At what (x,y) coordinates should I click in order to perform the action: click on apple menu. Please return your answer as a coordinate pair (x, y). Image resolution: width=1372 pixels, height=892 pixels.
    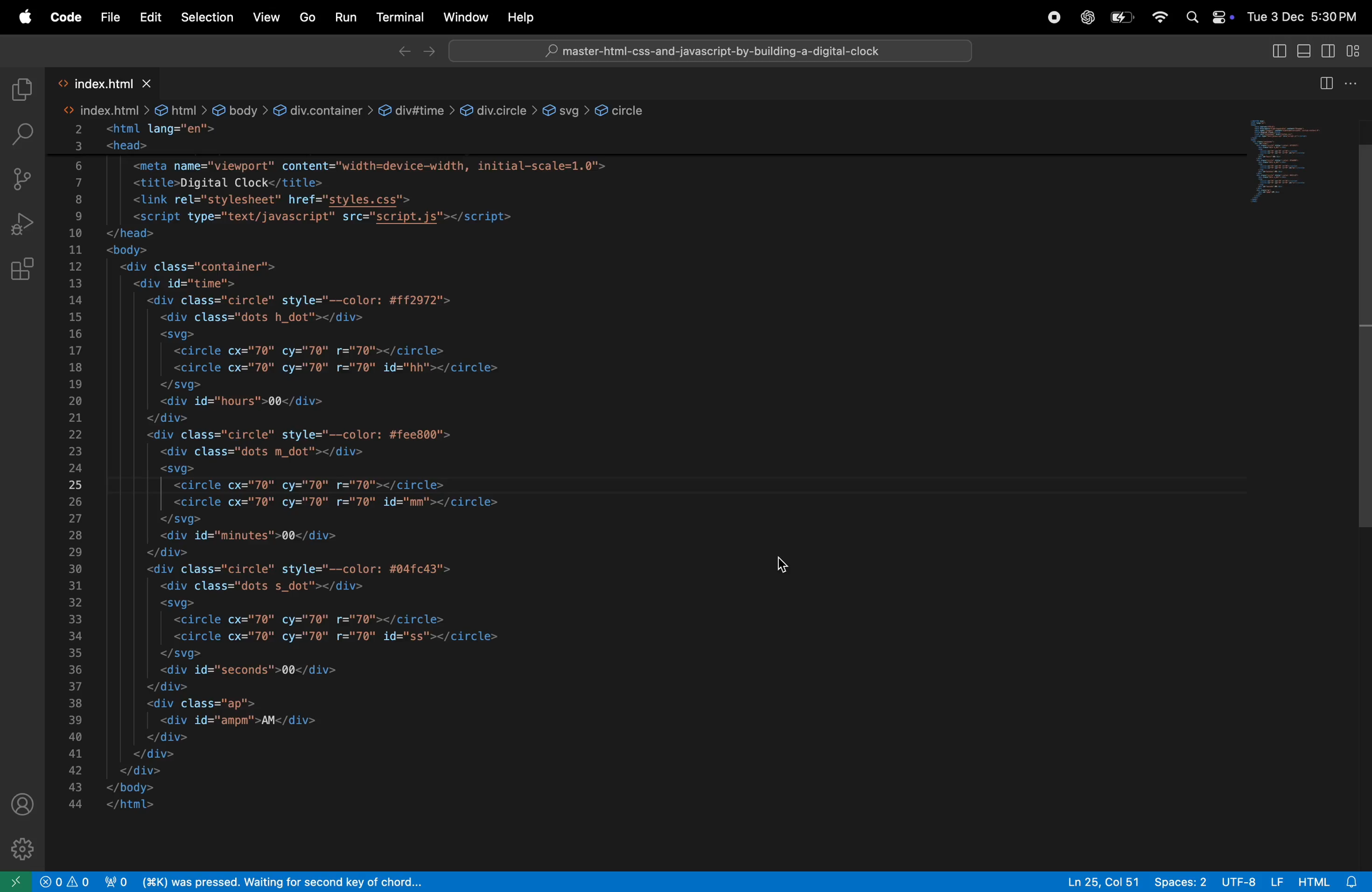
    Looking at the image, I should click on (24, 18).